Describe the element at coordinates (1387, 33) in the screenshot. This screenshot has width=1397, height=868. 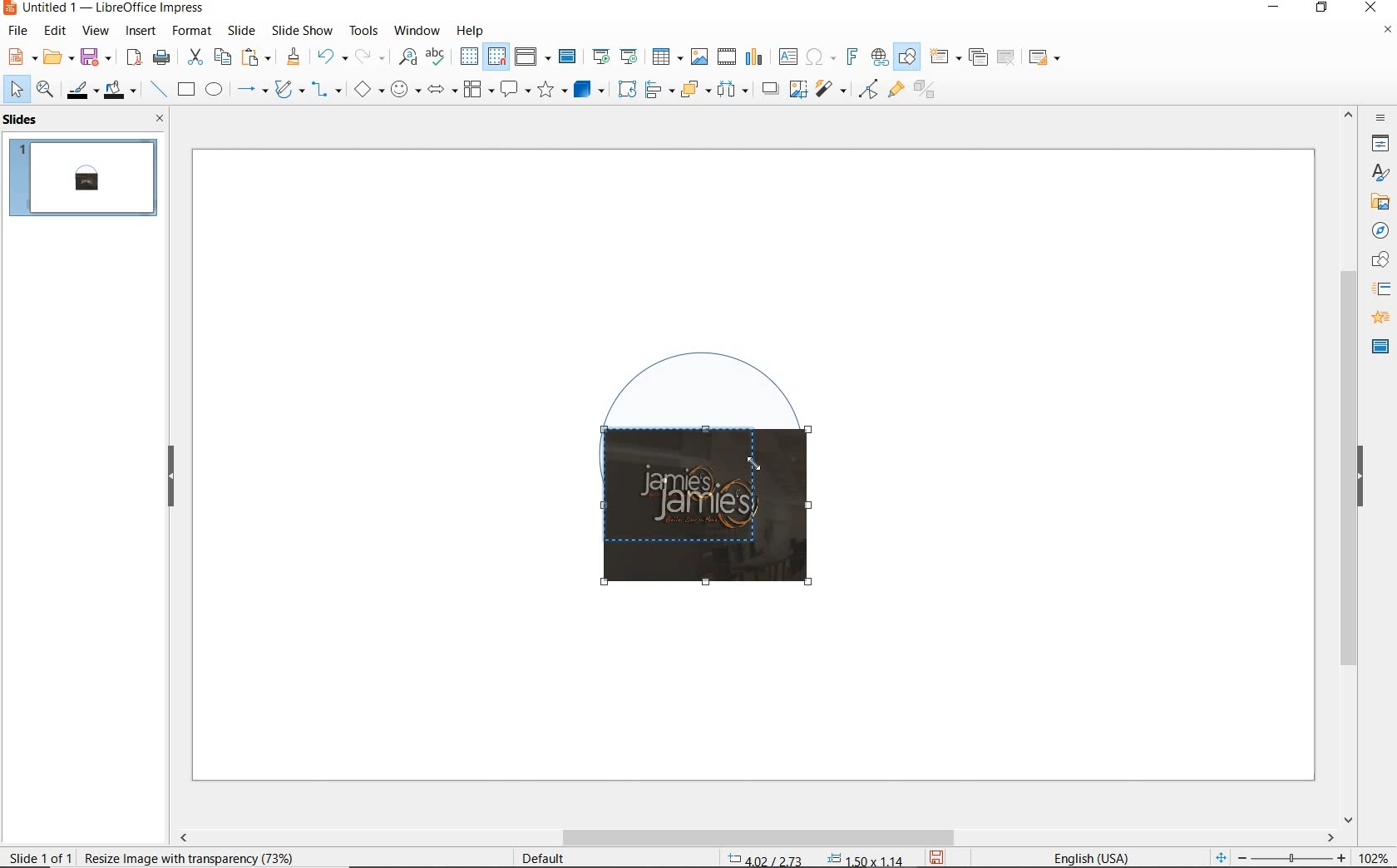
I see `close document` at that location.